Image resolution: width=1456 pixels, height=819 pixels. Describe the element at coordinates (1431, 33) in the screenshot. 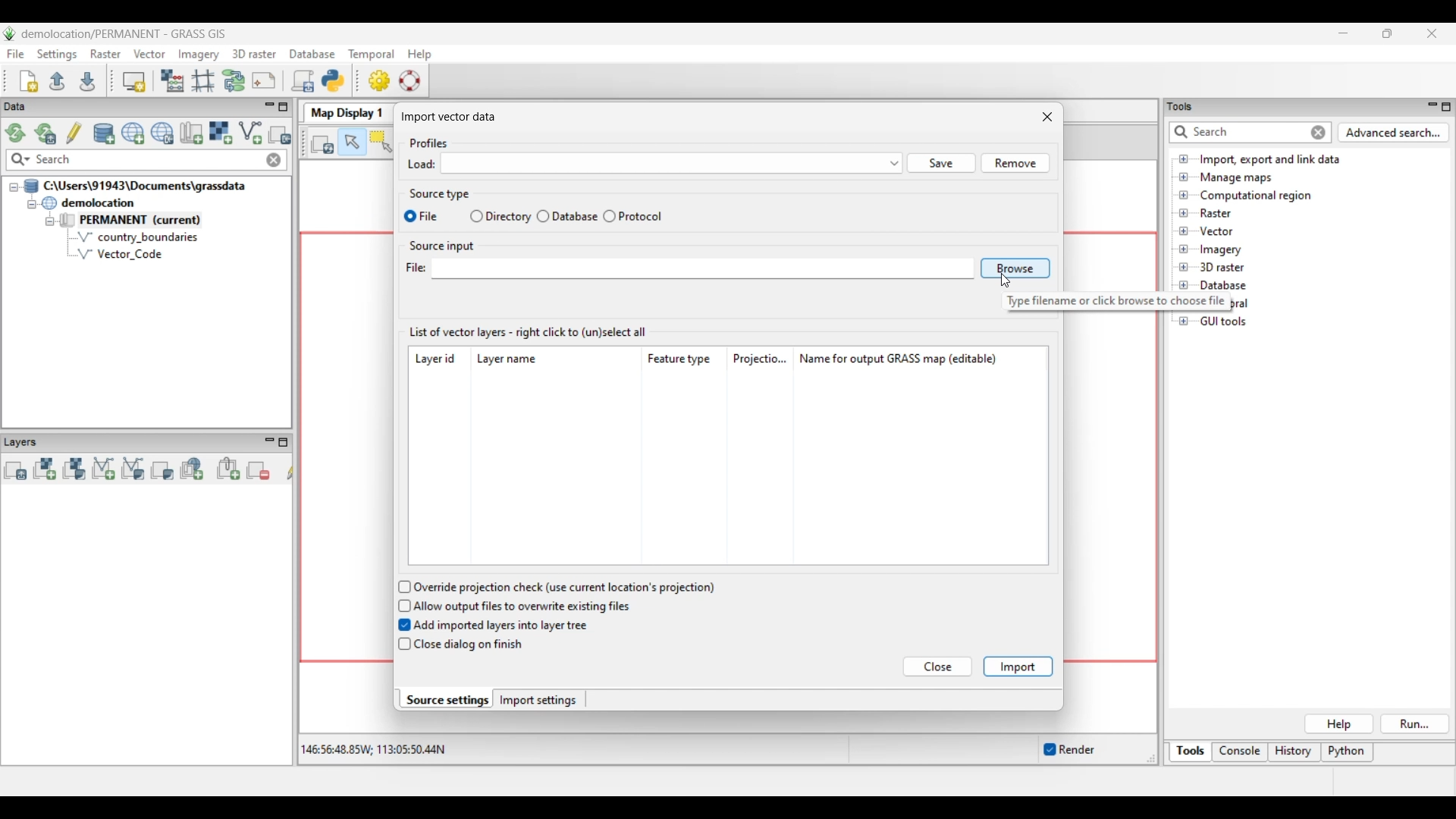

I see `Close interface` at that location.